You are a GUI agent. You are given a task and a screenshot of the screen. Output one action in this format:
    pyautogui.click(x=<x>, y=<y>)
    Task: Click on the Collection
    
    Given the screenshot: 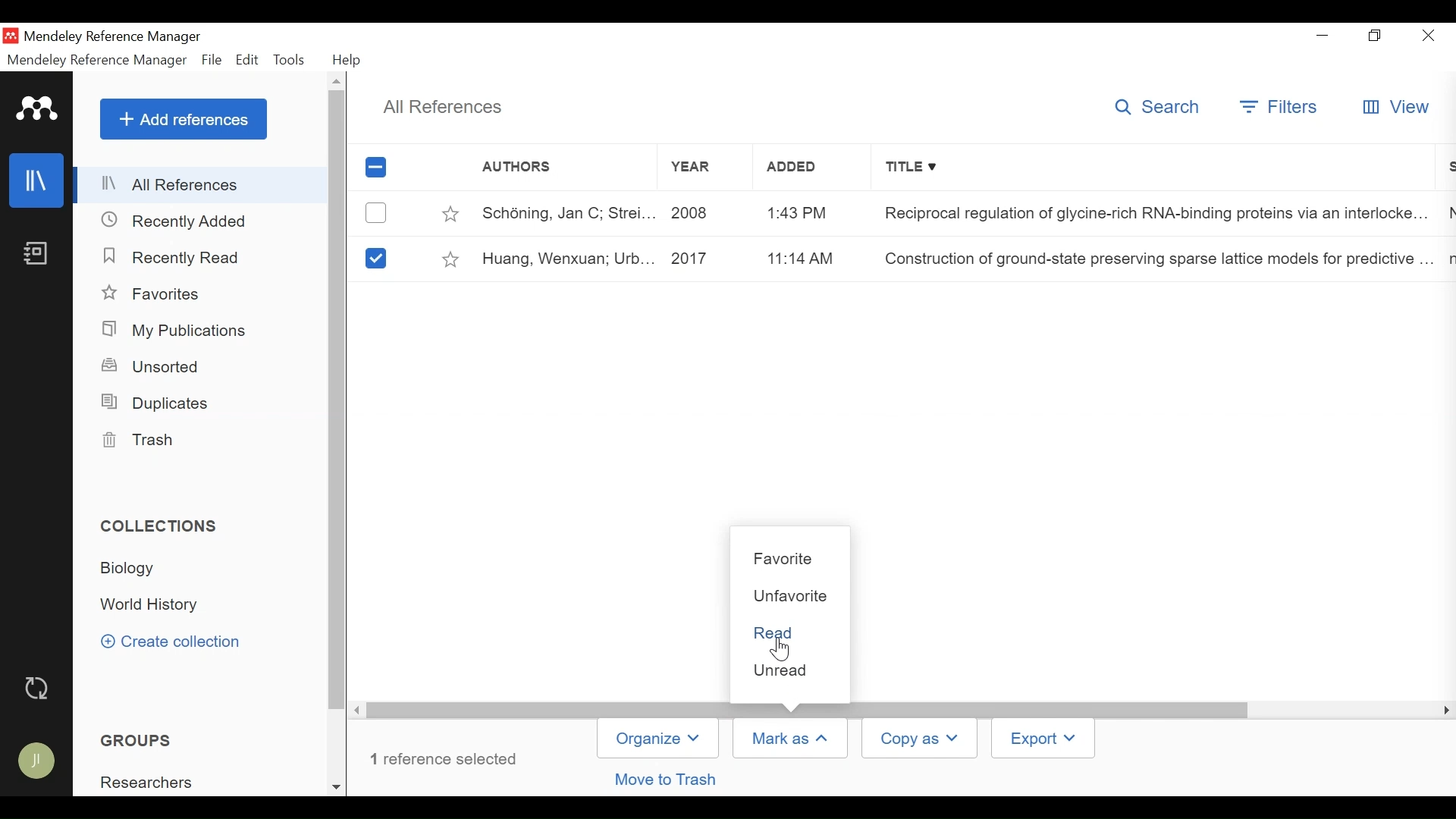 What is the action you would take?
    pyautogui.click(x=163, y=526)
    